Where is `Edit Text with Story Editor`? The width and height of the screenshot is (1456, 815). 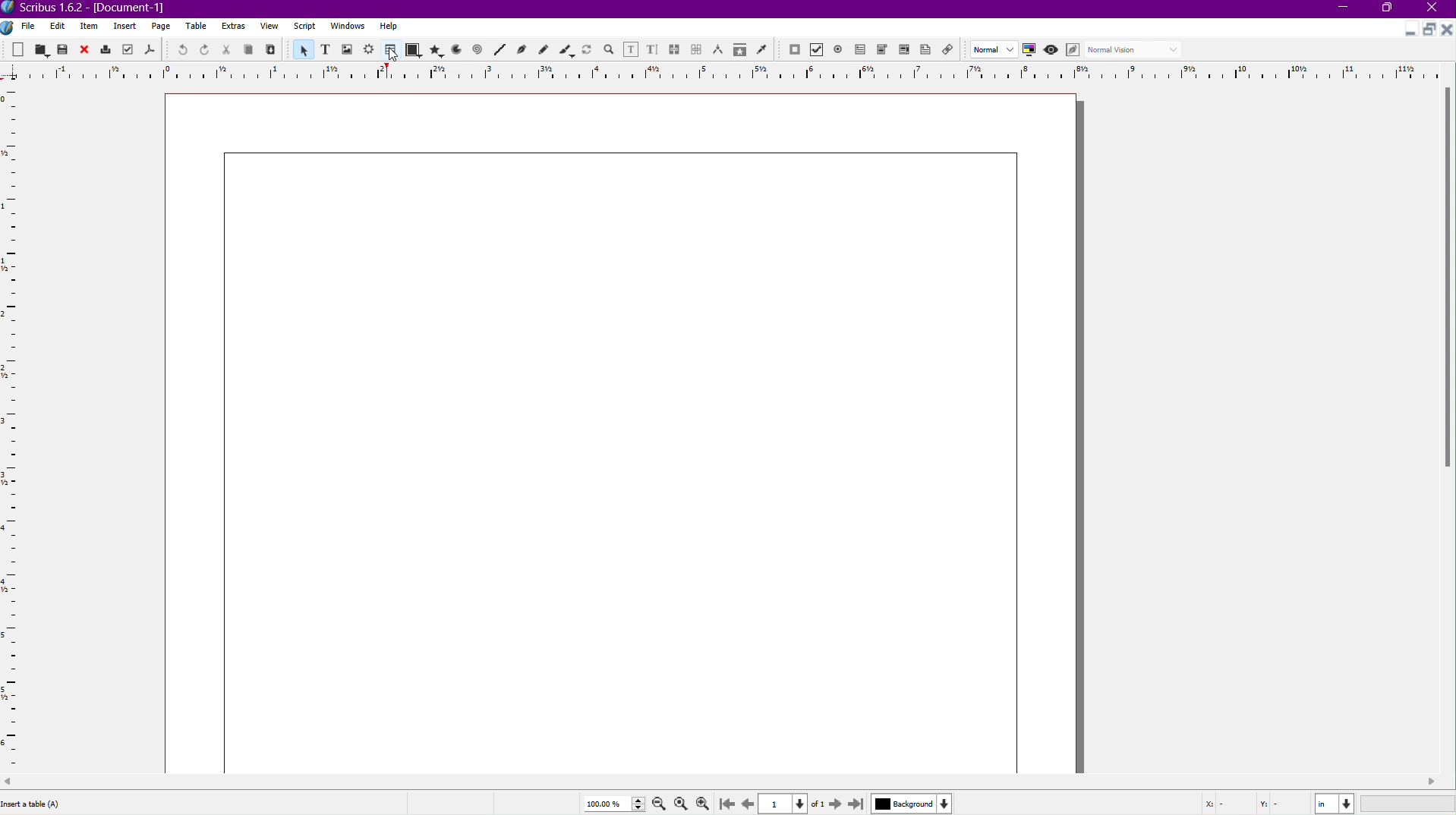 Edit Text with Story Editor is located at coordinates (653, 49).